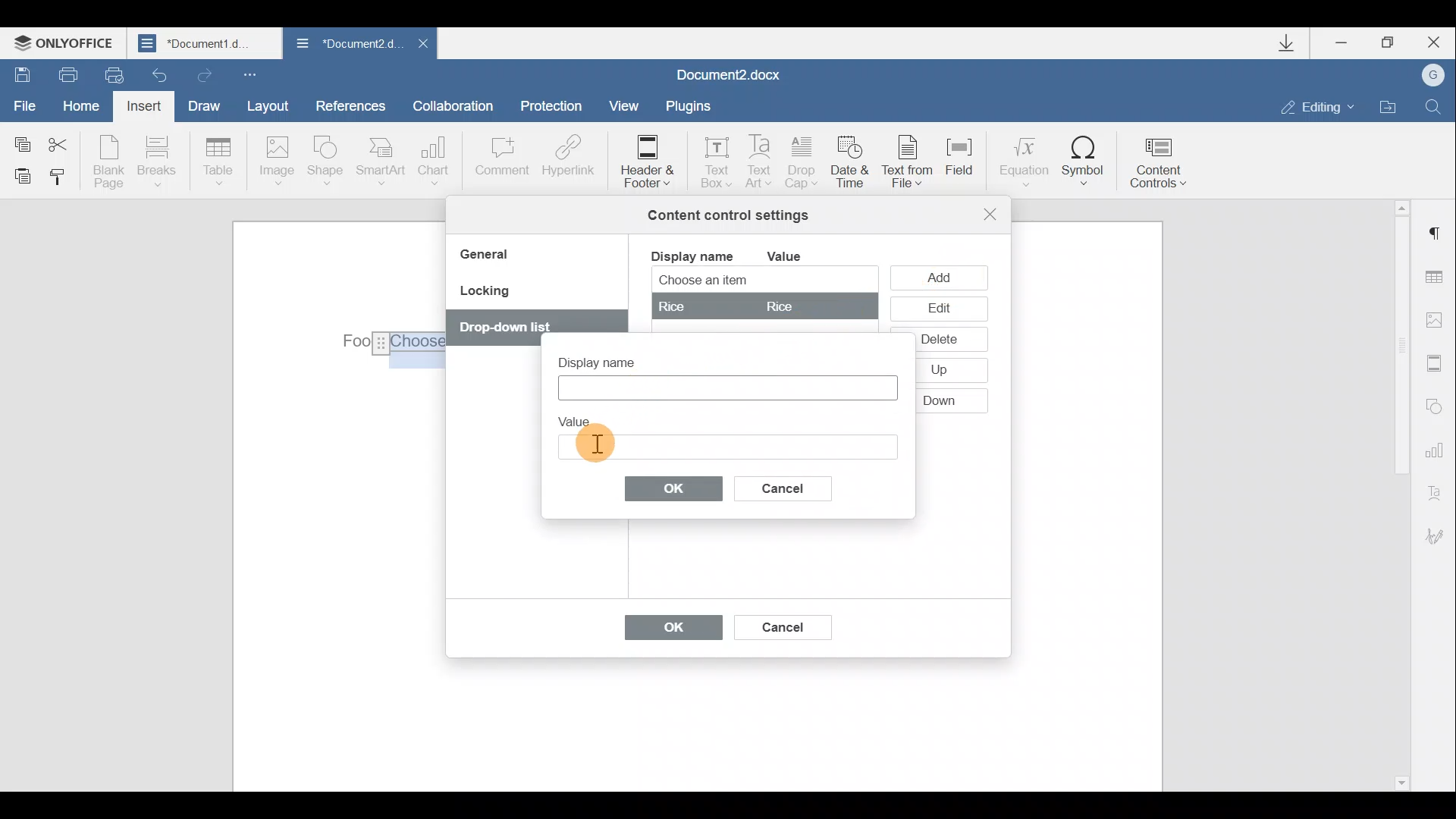  Describe the element at coordinates (938, 309) in the screenshot. I see `Edit` at that location.